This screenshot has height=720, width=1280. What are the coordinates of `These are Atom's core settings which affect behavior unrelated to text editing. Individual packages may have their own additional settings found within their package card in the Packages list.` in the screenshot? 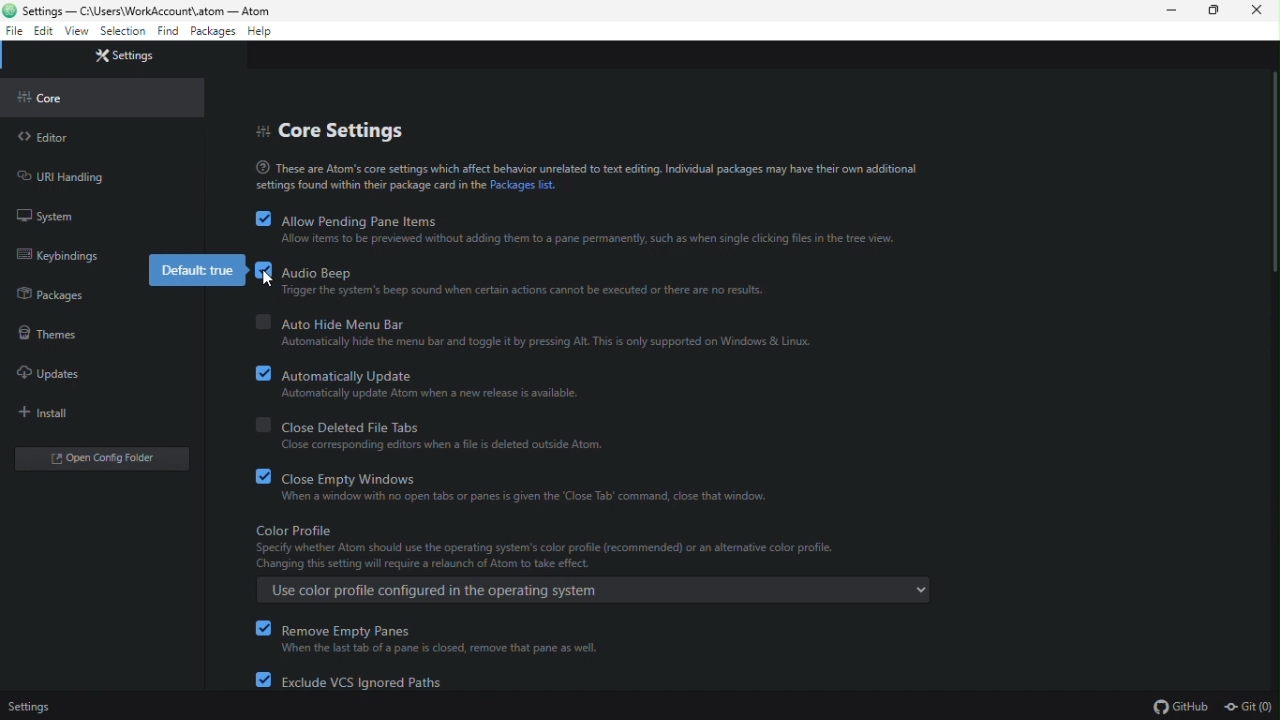 It's located at (570, 176).